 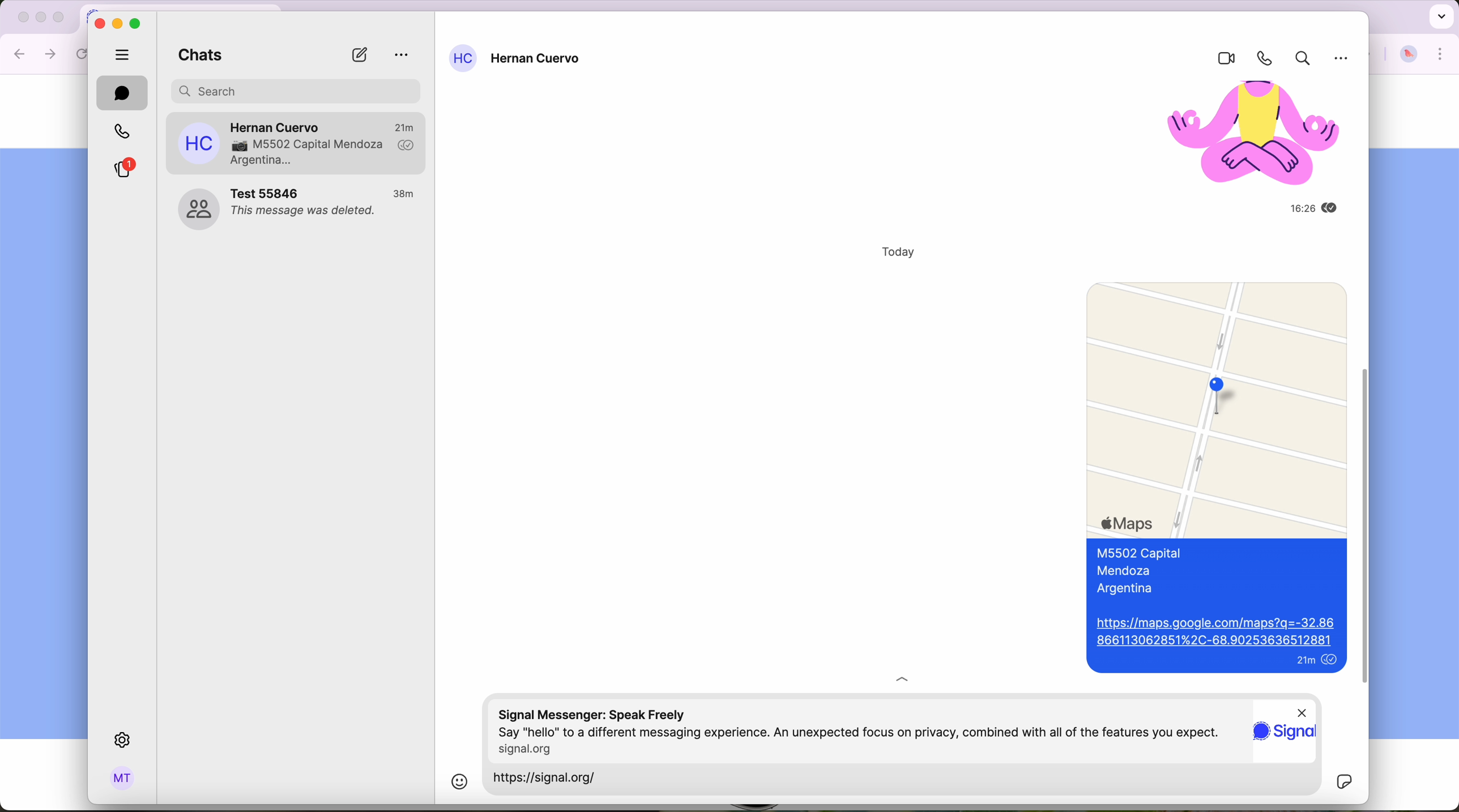 What do you see at coordinates (531, 749) in the screenshot?
I see `signal.org` at bounding box center [531, 749].